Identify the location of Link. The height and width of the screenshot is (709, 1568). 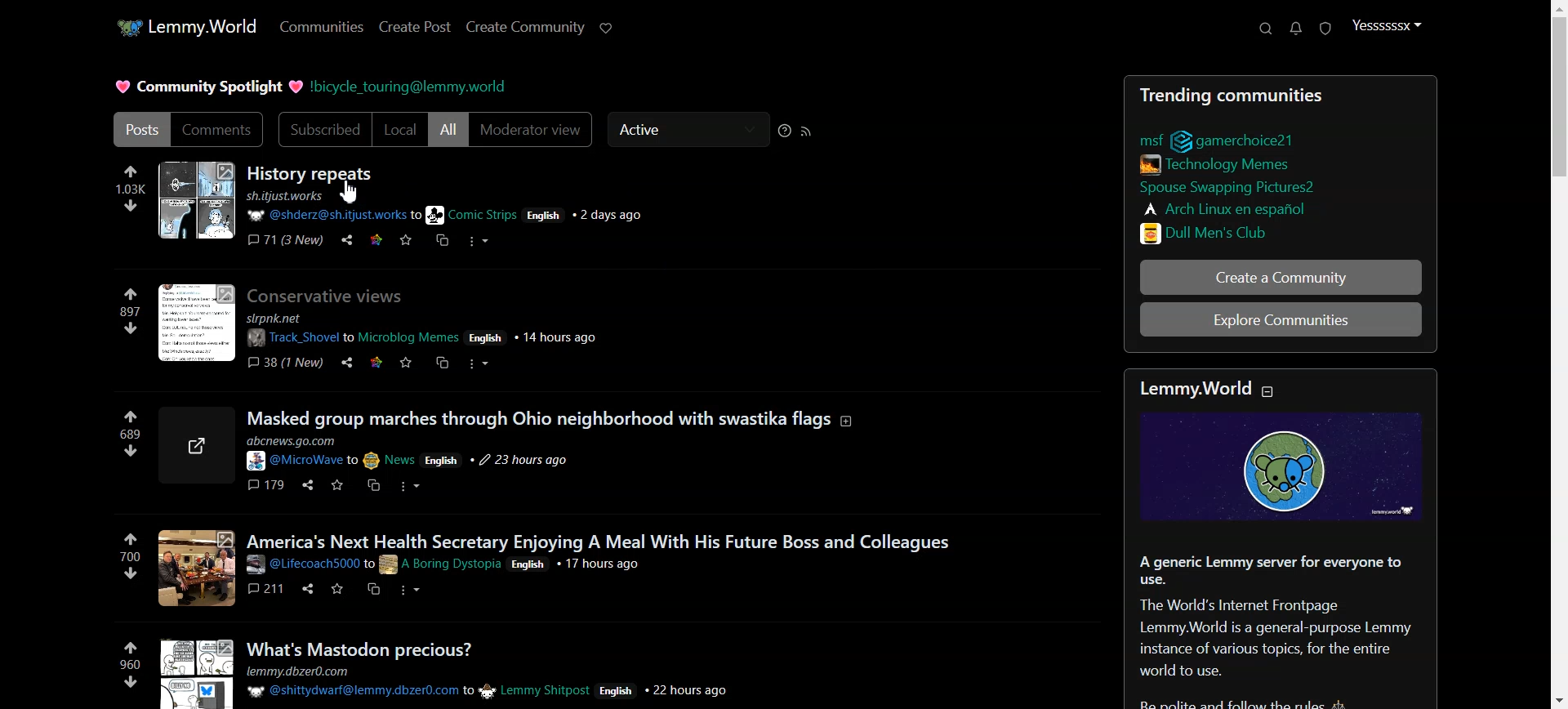
(194, 446).